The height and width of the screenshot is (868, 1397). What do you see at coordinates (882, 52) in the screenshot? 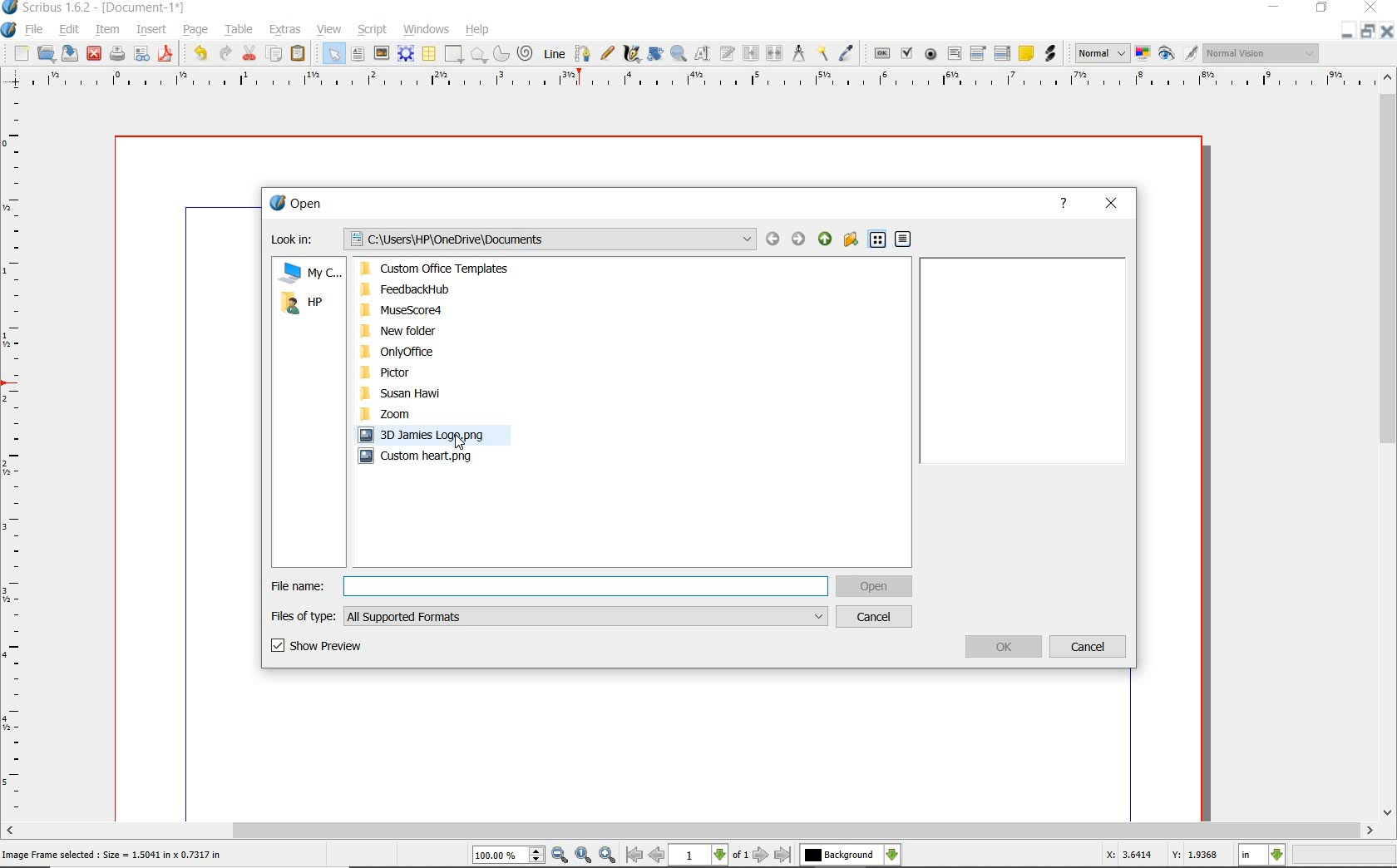
I see `pdf push button` at bounding box center [882, 52].